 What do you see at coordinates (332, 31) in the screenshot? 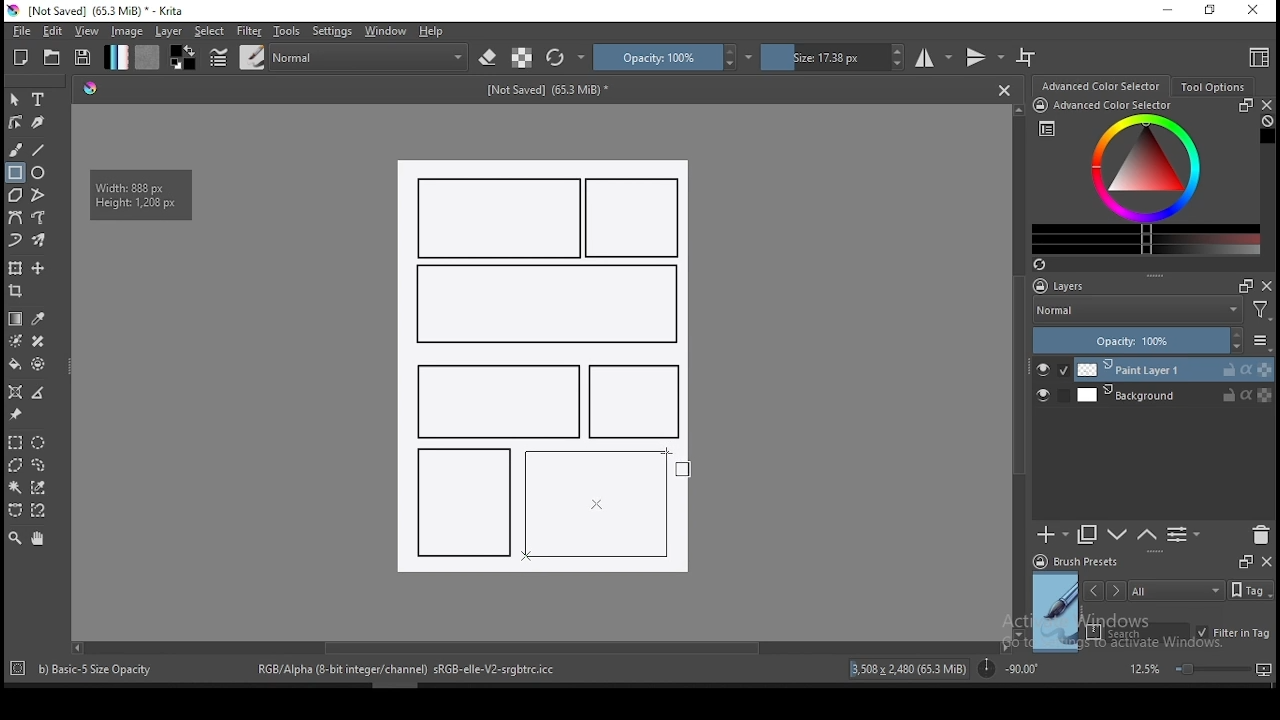
I see `settings` at bounding box center [332, 31].